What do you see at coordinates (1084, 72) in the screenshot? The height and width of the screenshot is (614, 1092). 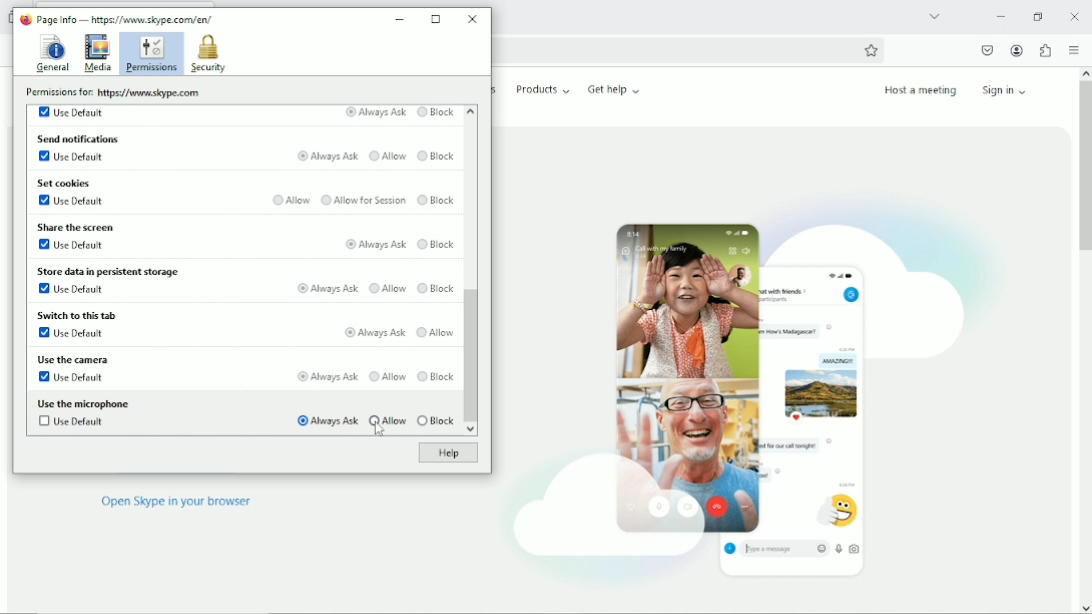 I see `scroll up` at bounding box center [1084, 72].